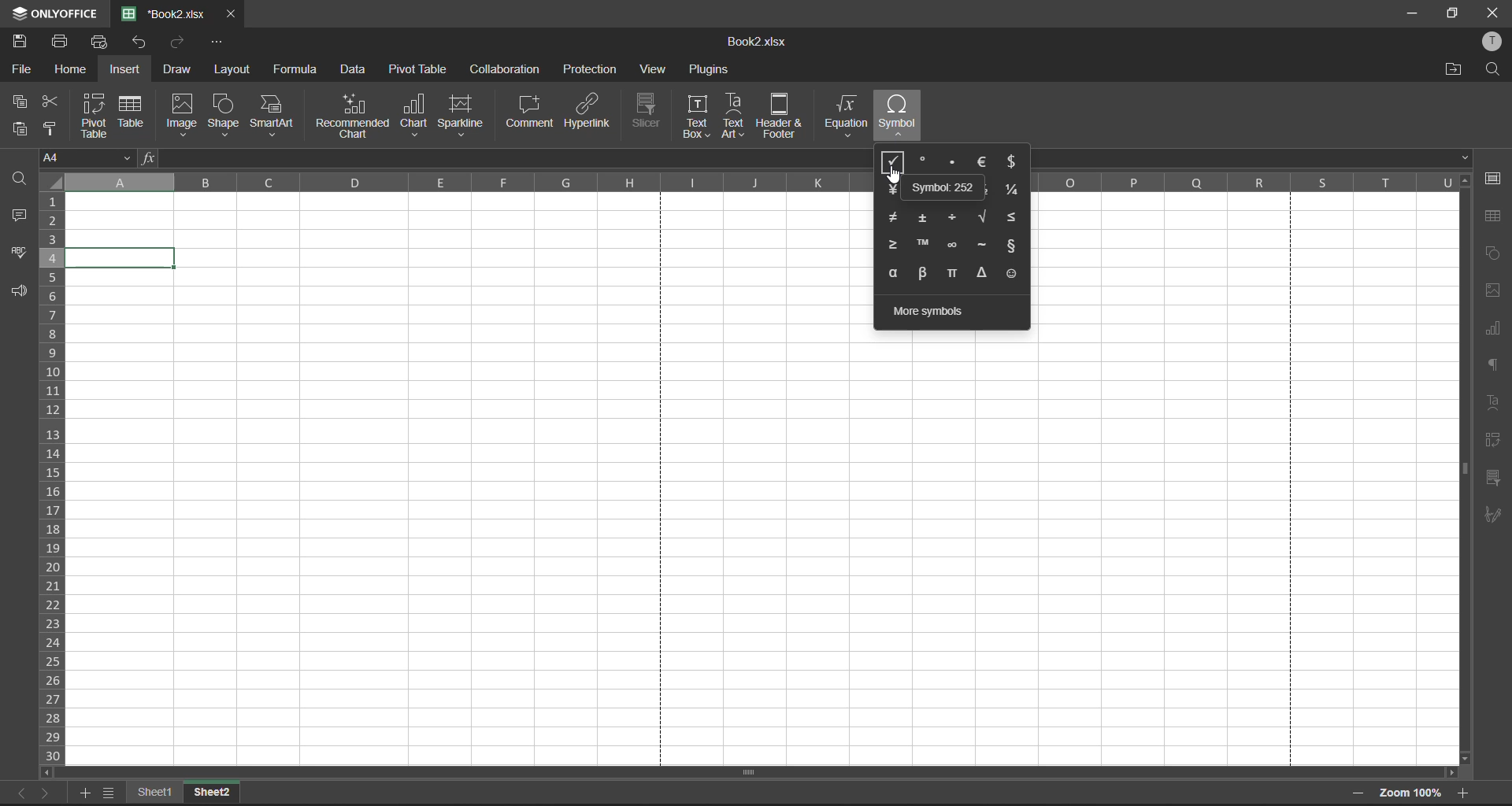 The height and width of the screenshot is (806, 1512). What do you see at coordinates (1408, 11) in the screenshot?
I see `minimize` at bounding box center [1408, 11].